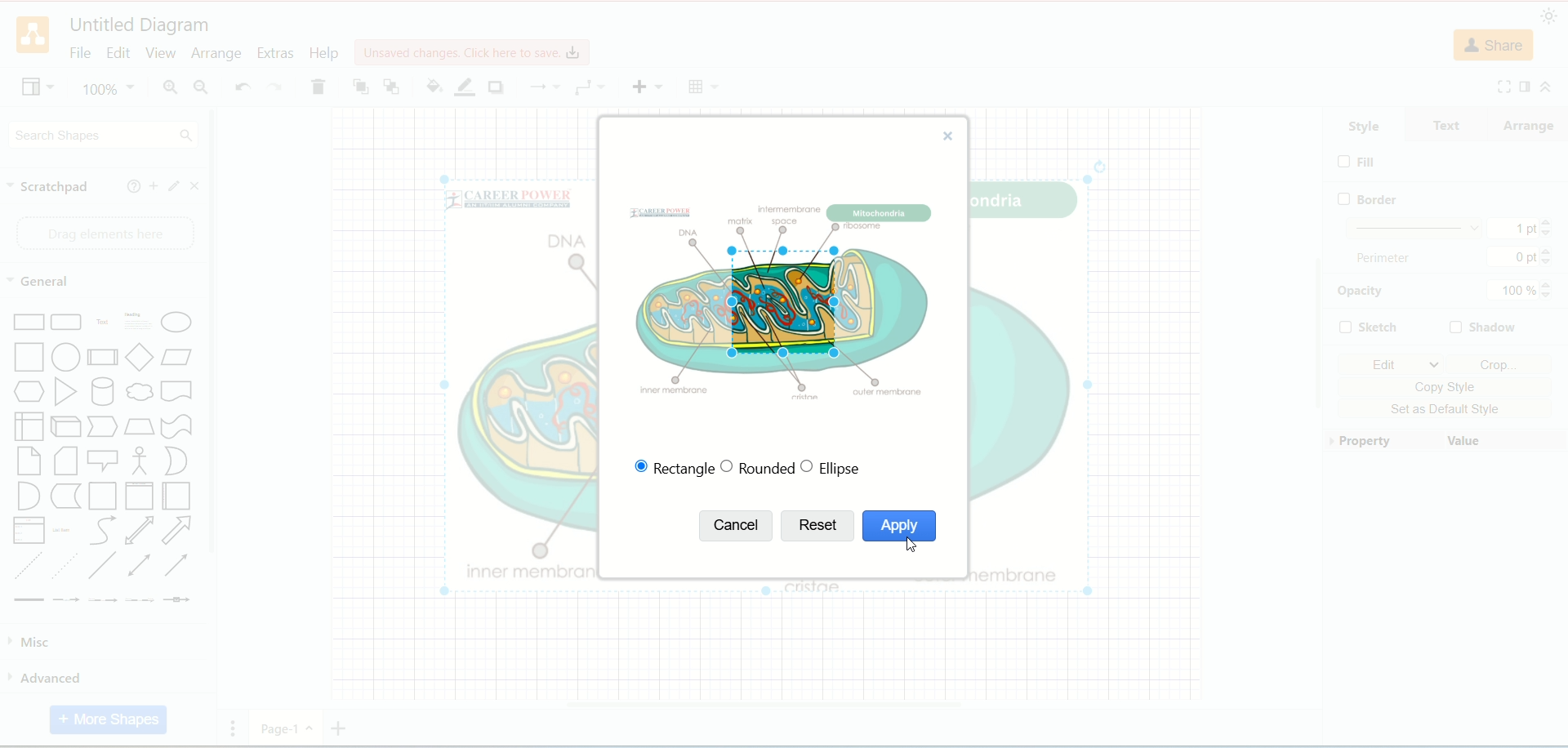 The height and width of the screenshot is (748, 1568). I want to click on Actor, so click(138, 461).